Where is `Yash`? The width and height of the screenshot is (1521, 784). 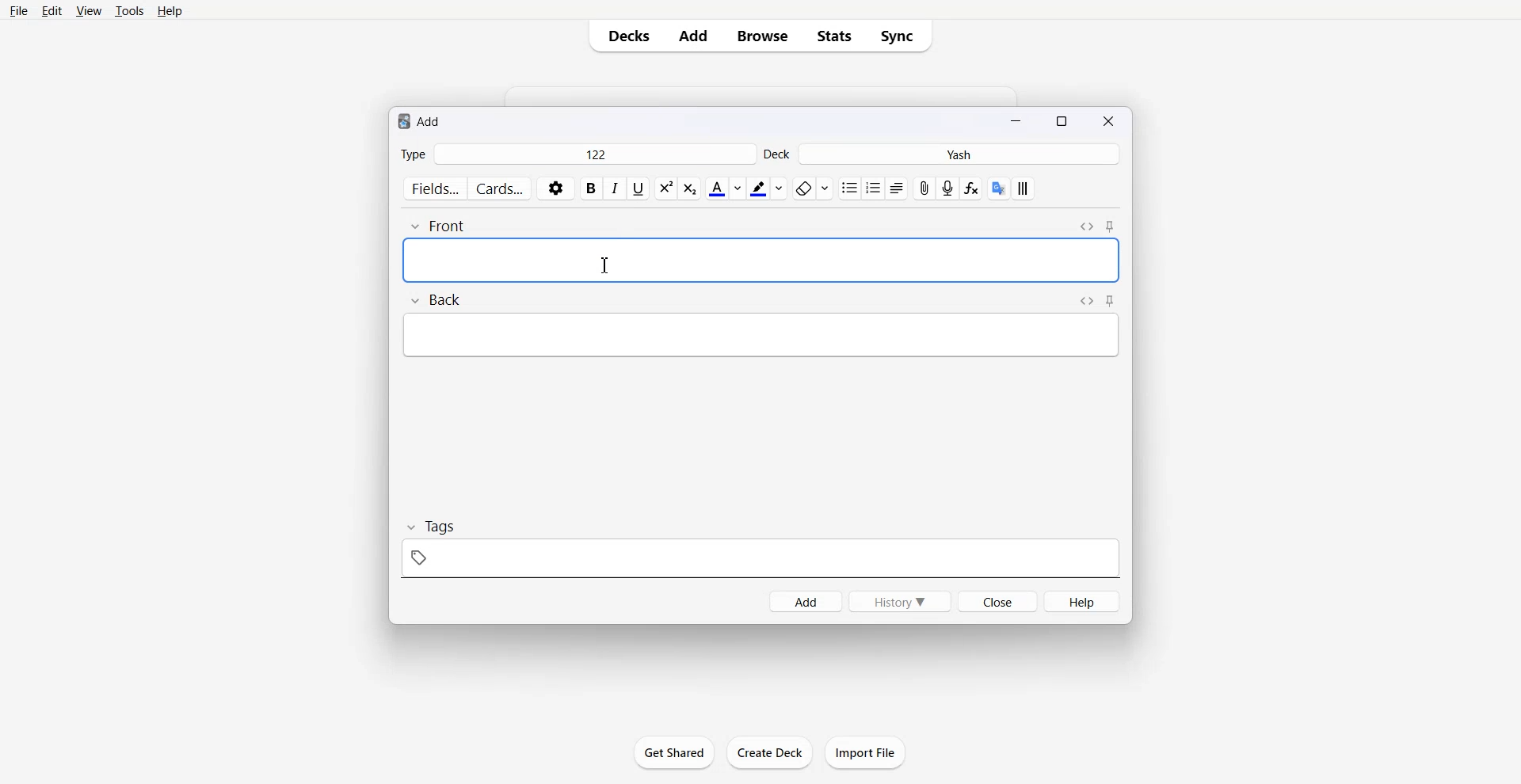
Yash is located at coordinates (963, 154).